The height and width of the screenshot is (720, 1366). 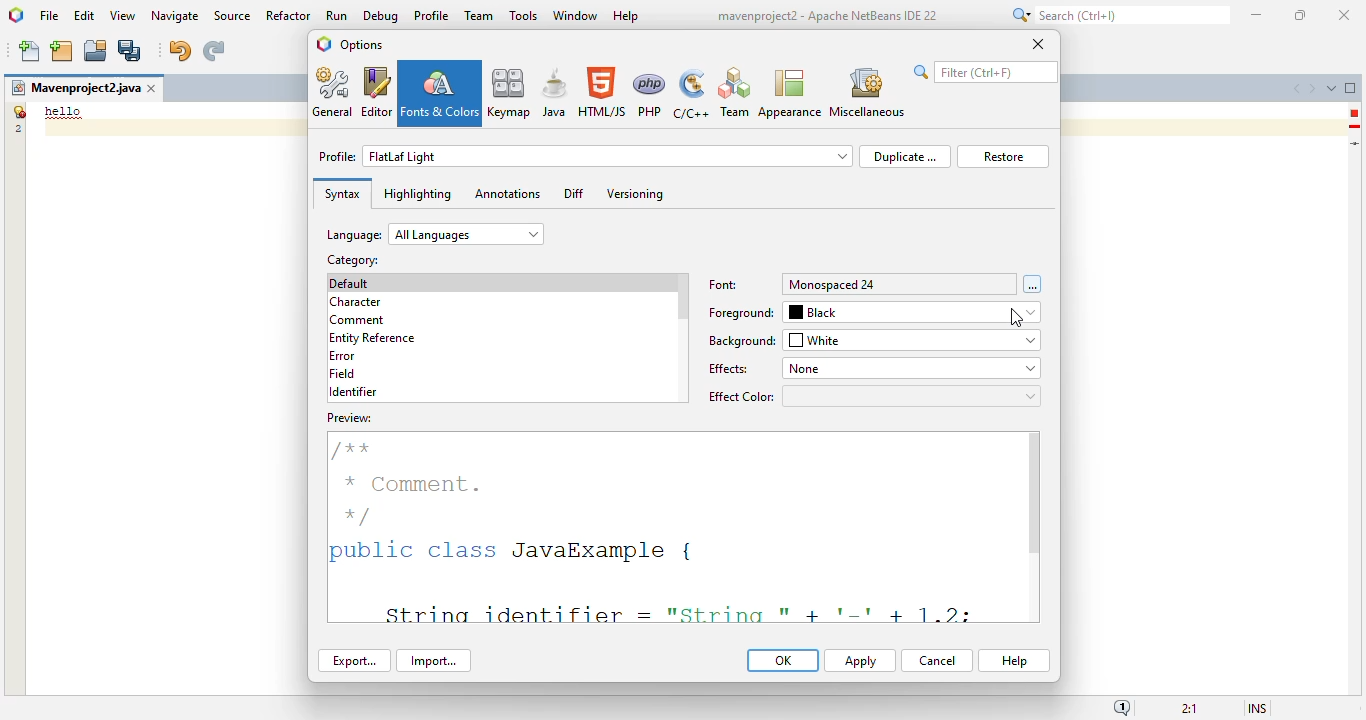 I want to click on C/C++, so click(x=690, y=94).